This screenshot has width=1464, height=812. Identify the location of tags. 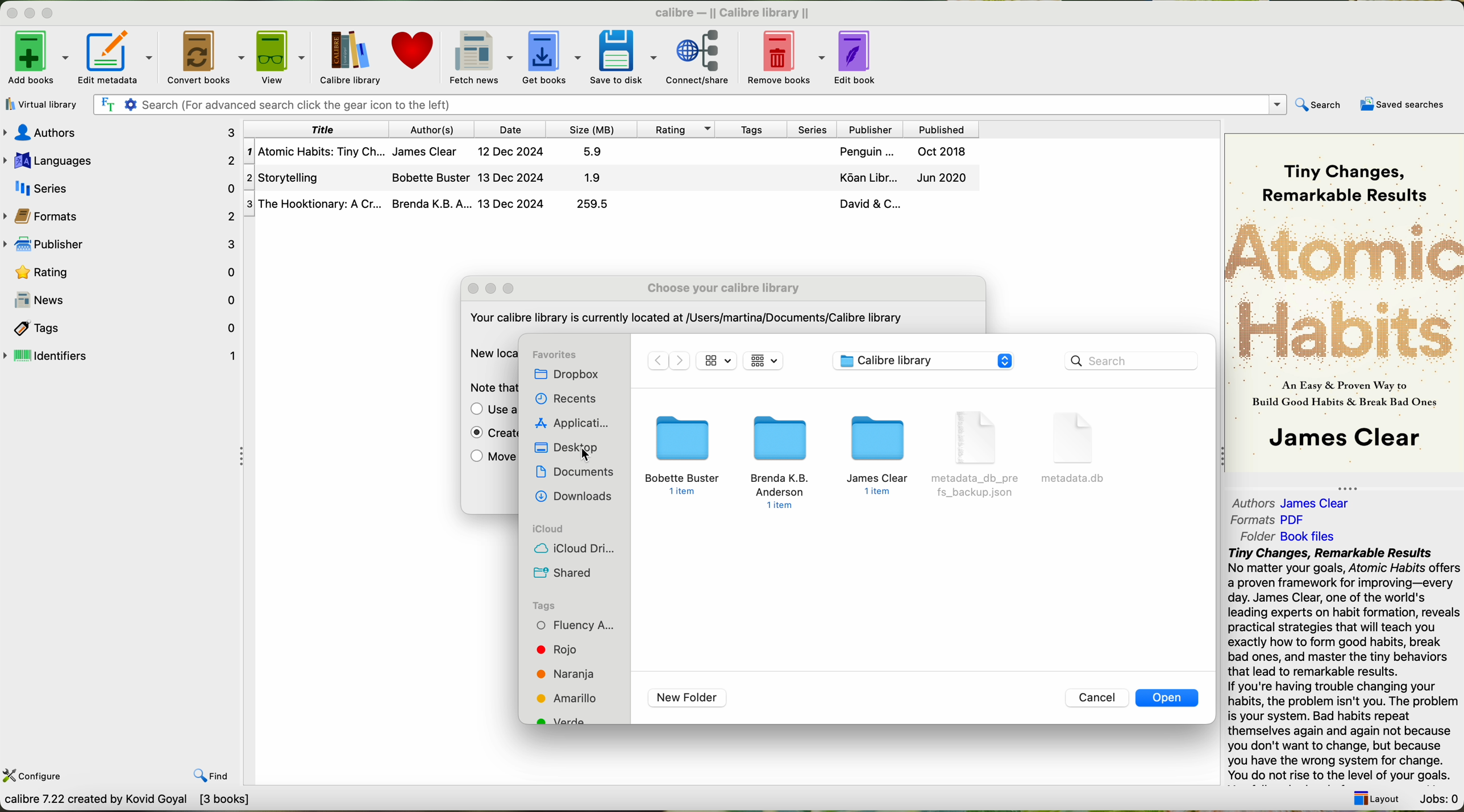
(544, 605).